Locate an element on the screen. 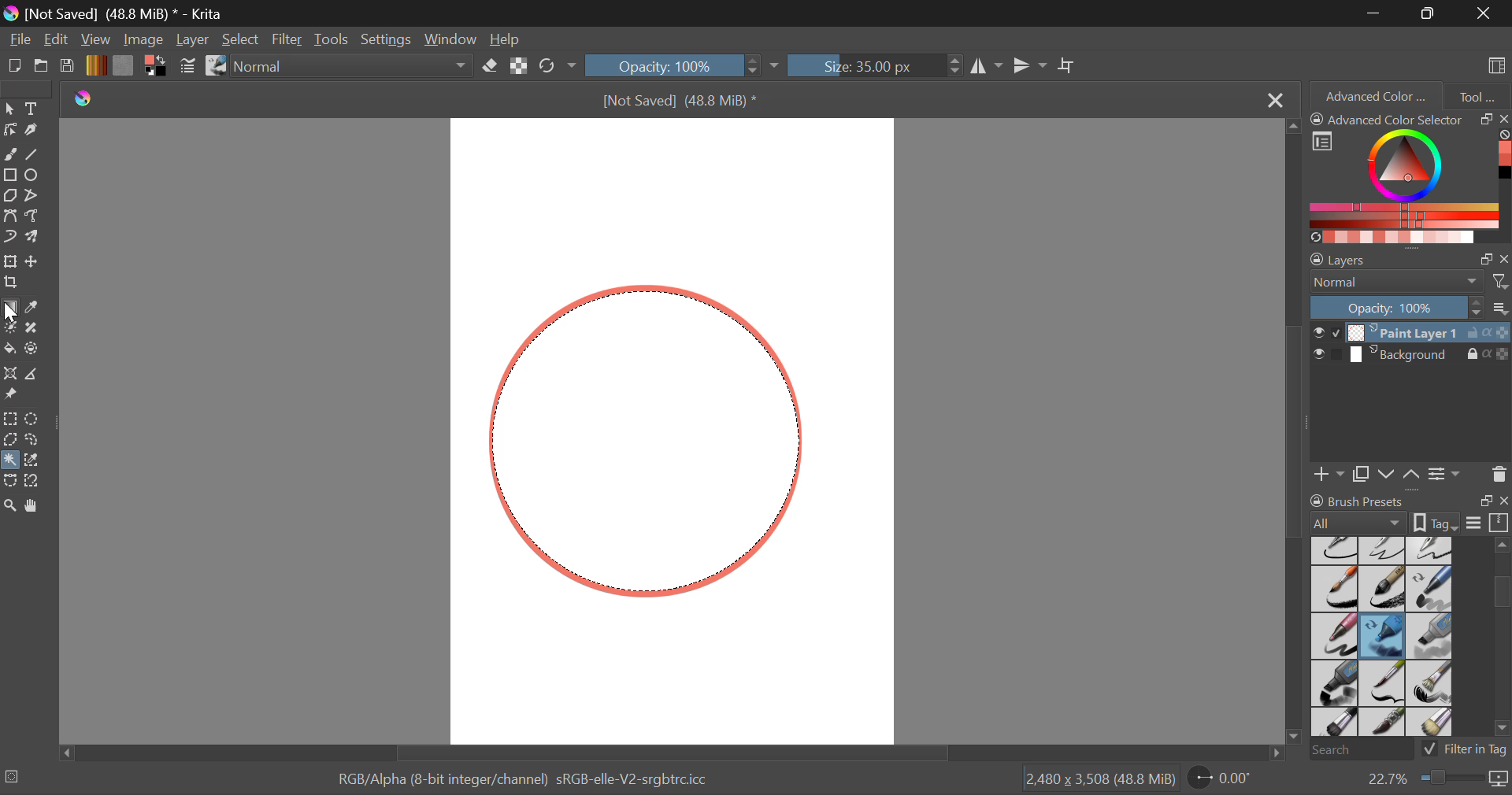 The height and width of the screenshot is (795, 1512). Bezier Curve Selection is located at coordinates (9, 481).